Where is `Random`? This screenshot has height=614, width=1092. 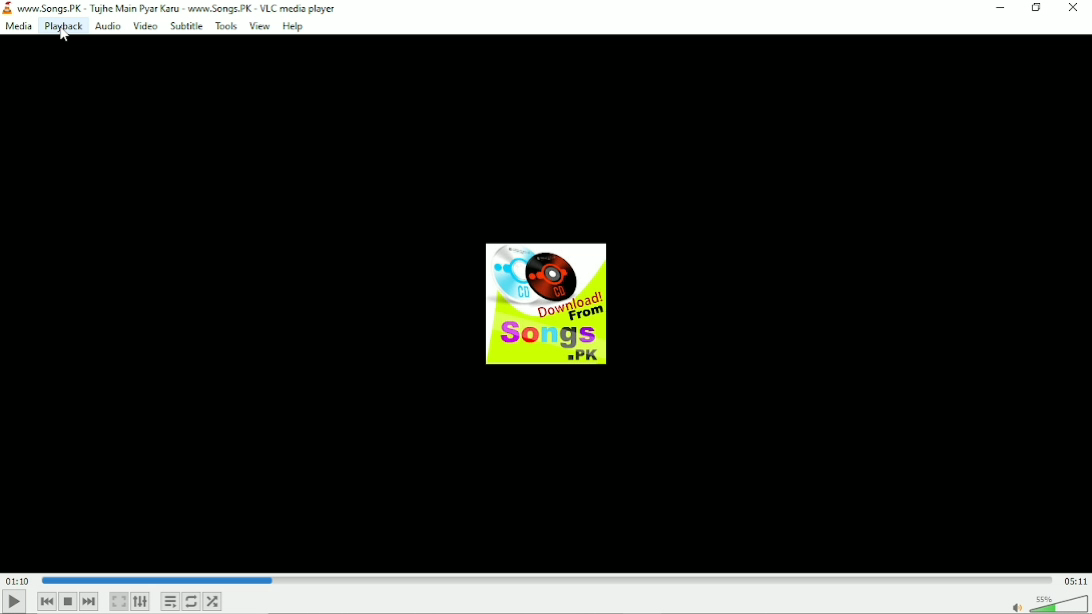 Random is located at coordinates (212, 602).